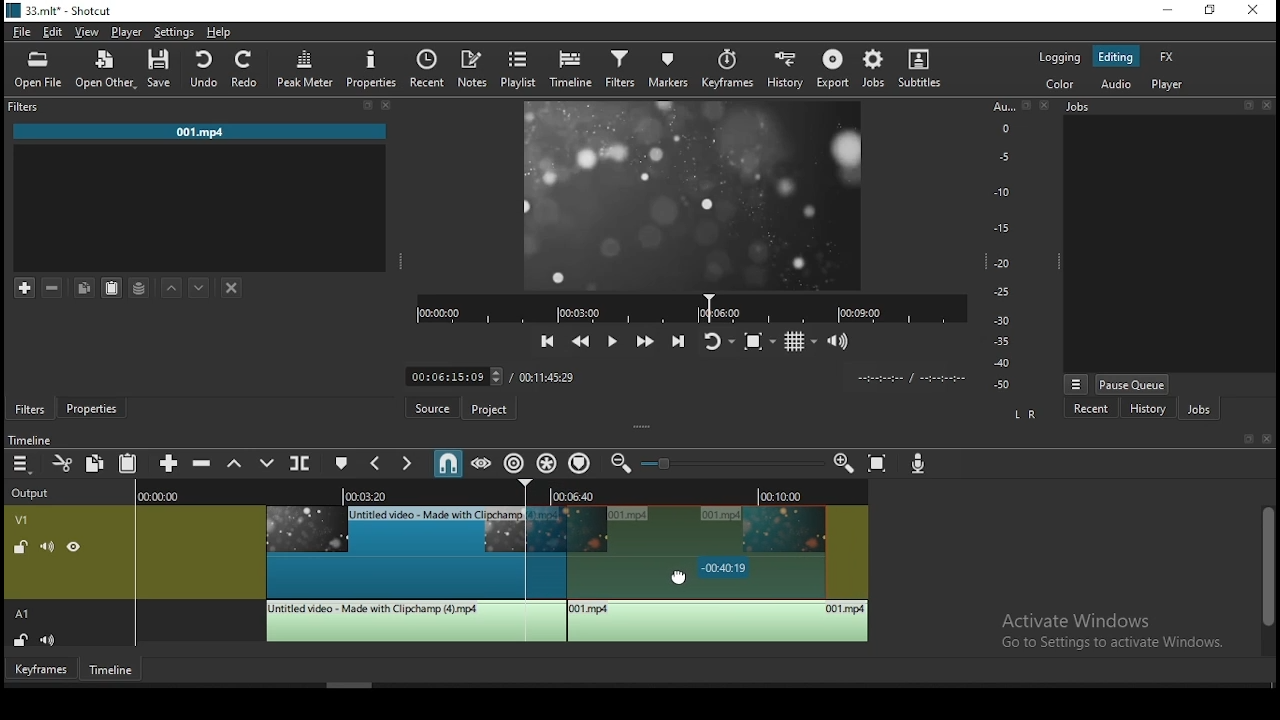  Describe the element at coordinates (580, 465) in the screenshot. I see `ripple markers` at that location.